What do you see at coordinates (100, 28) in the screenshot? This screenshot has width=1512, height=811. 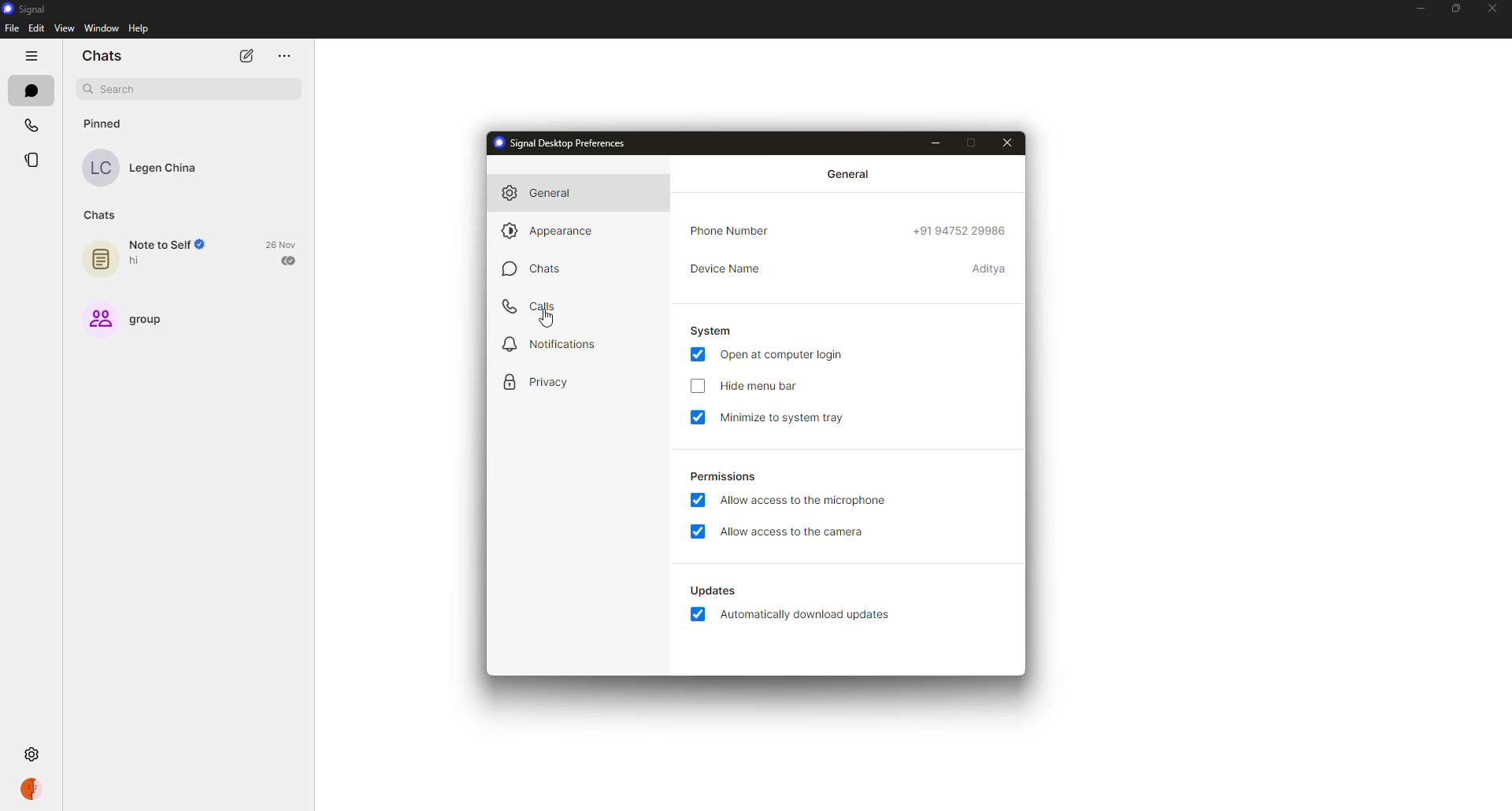 I see `window` at bounding box center [100, 28].